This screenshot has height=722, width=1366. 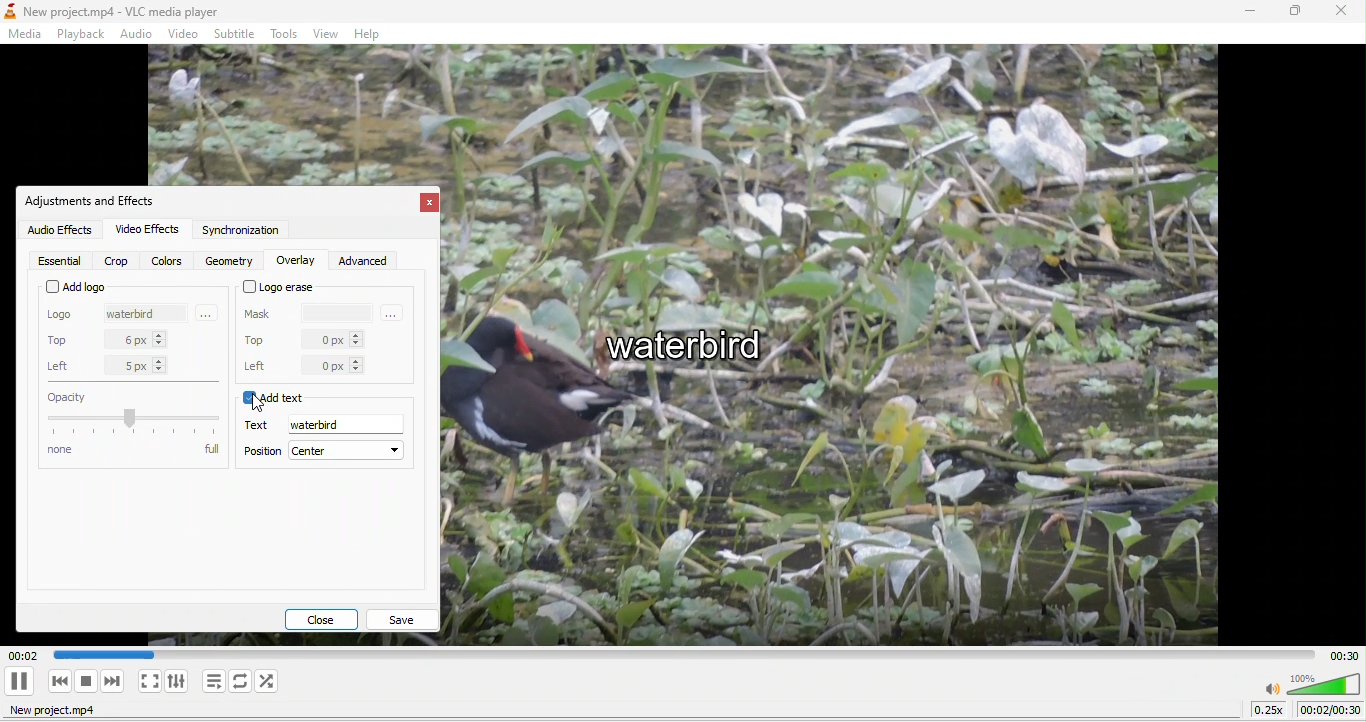 I want to click on add logo, so click(x=73, y=287).